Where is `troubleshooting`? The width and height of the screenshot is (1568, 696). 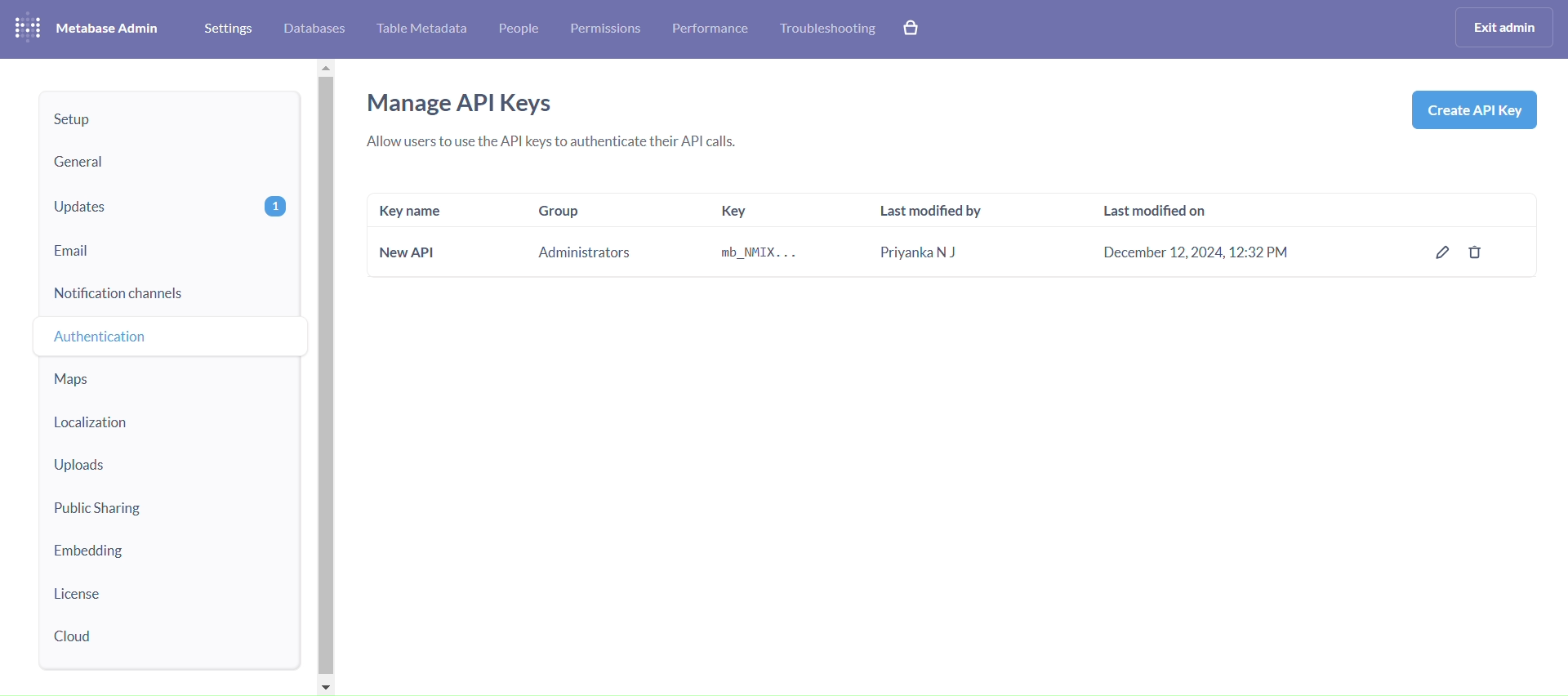
troubleshooting is located at coordinates (828, 30).